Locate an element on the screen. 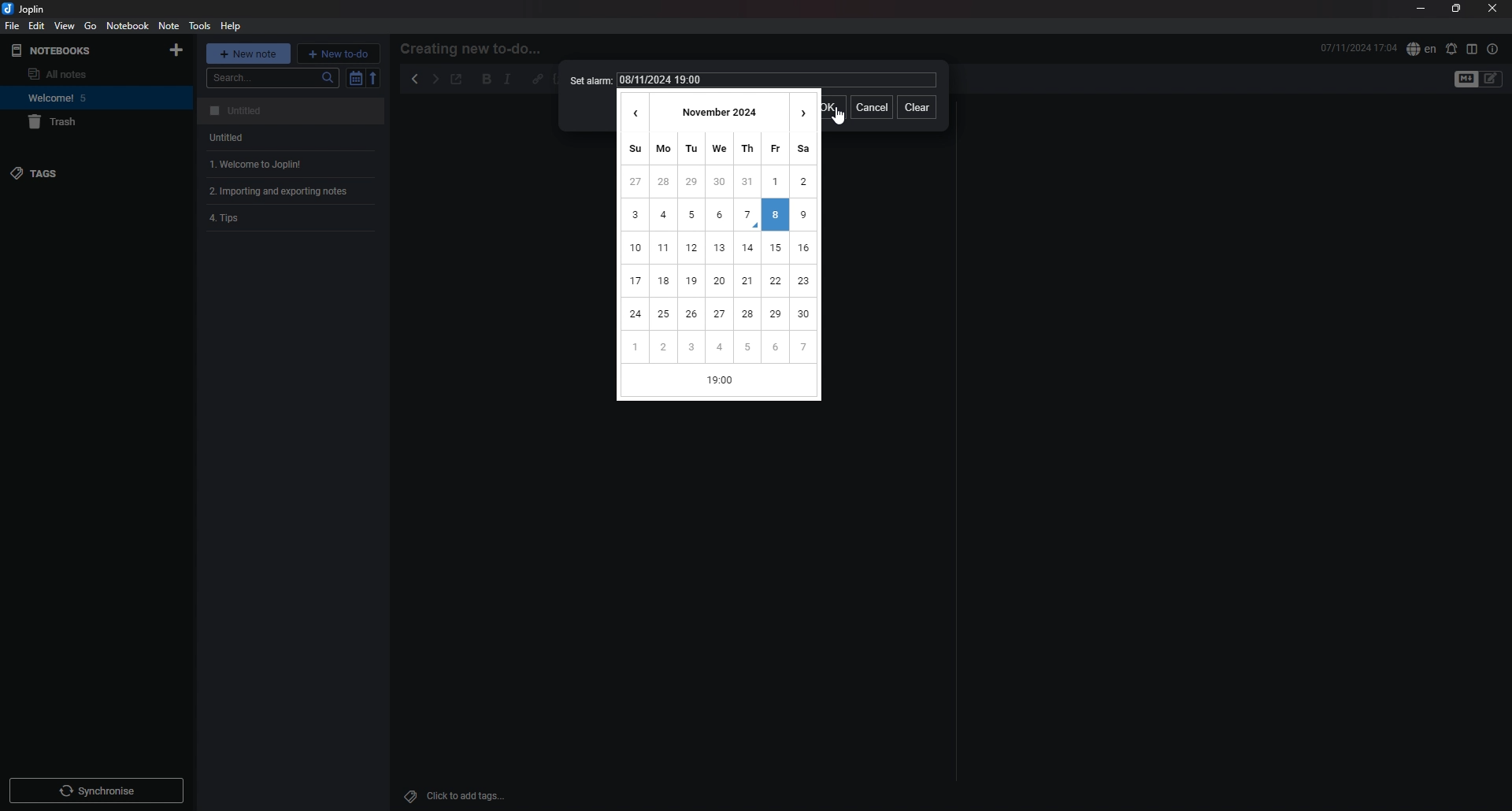 The width and height of the screenshot is (1512, 811). cancel is located at coordinates (870, 109).